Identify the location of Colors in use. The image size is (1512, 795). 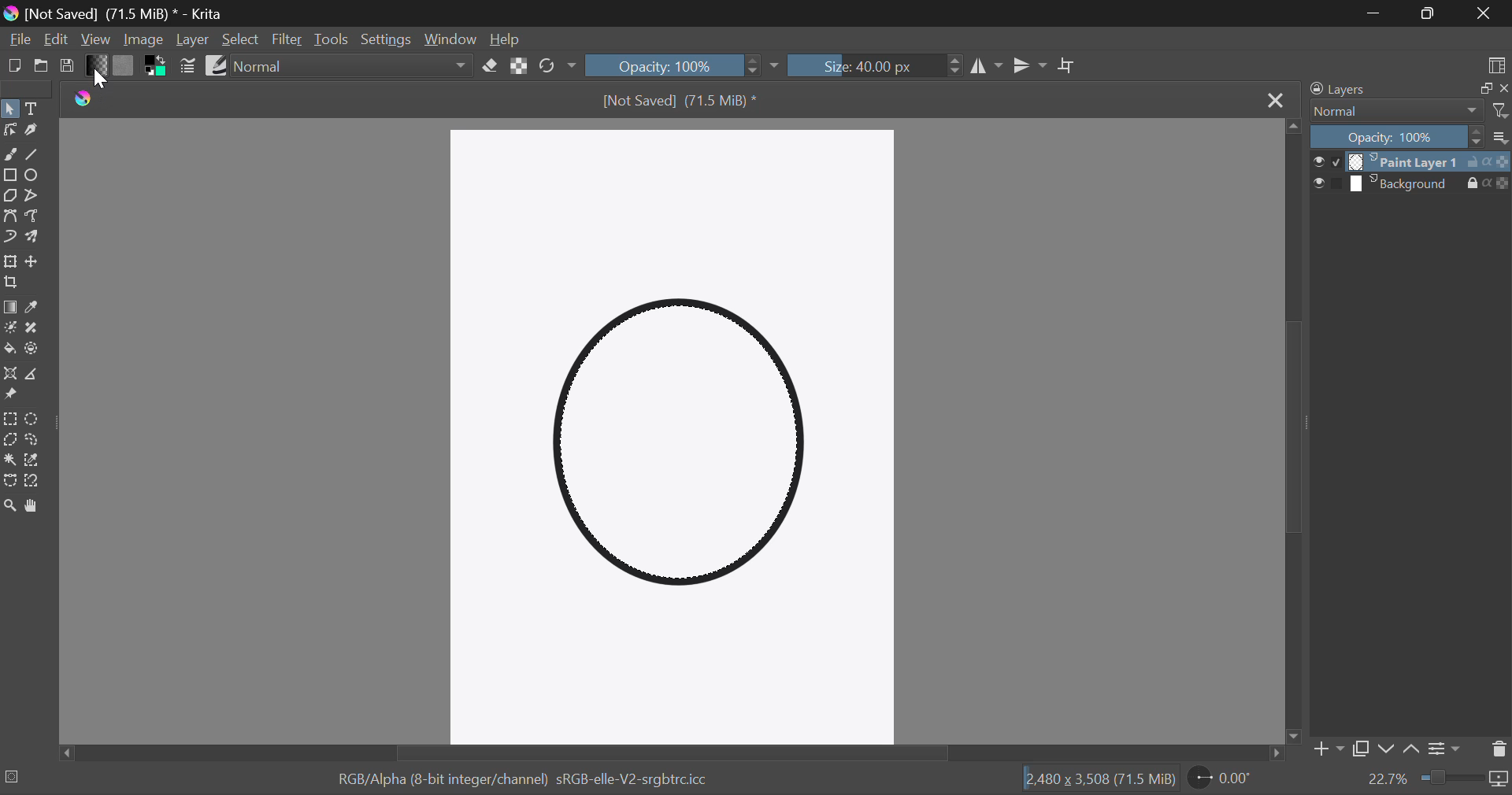
(156, 67).